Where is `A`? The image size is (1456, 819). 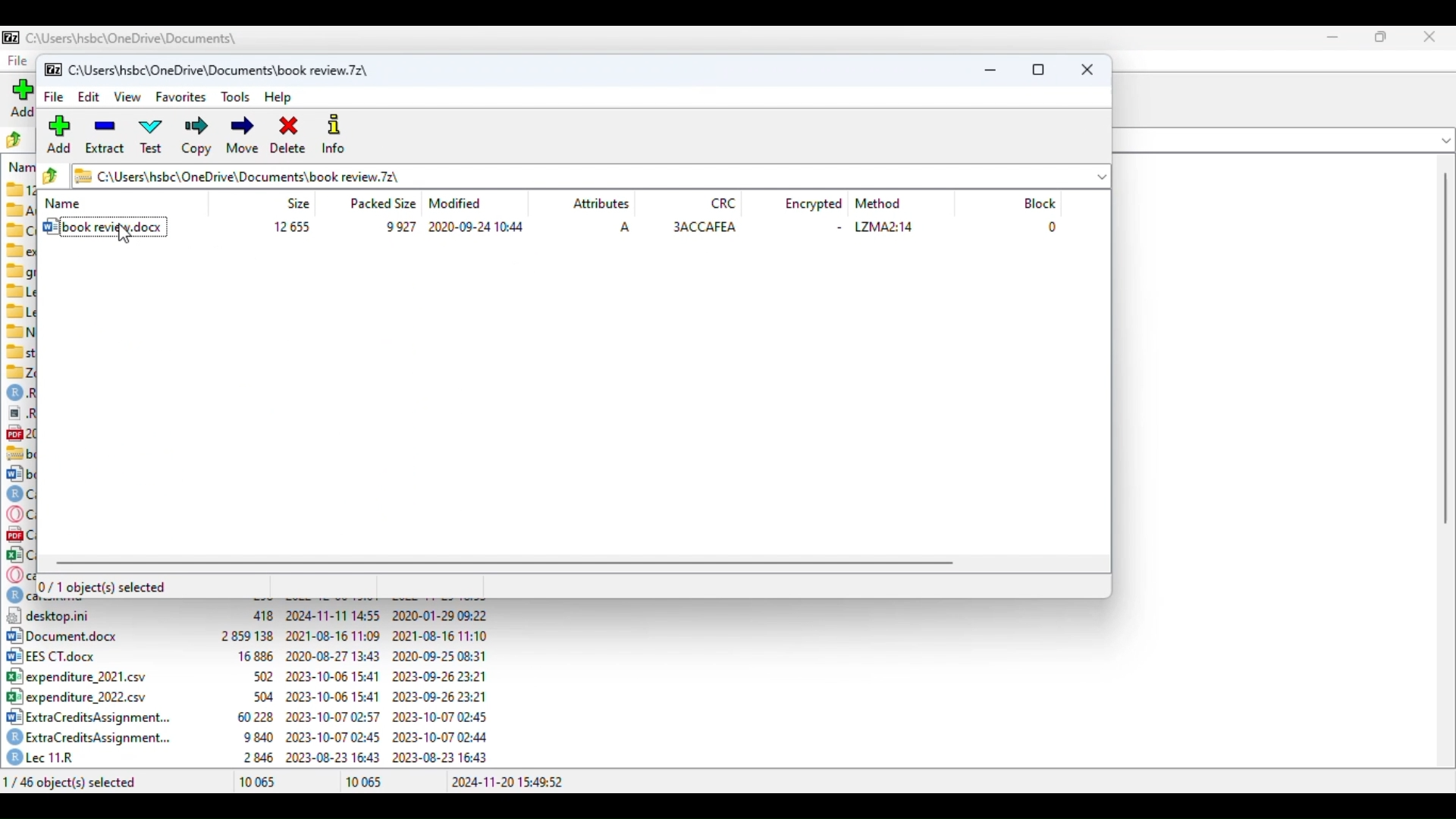
A is located at coordinates (624, 227).